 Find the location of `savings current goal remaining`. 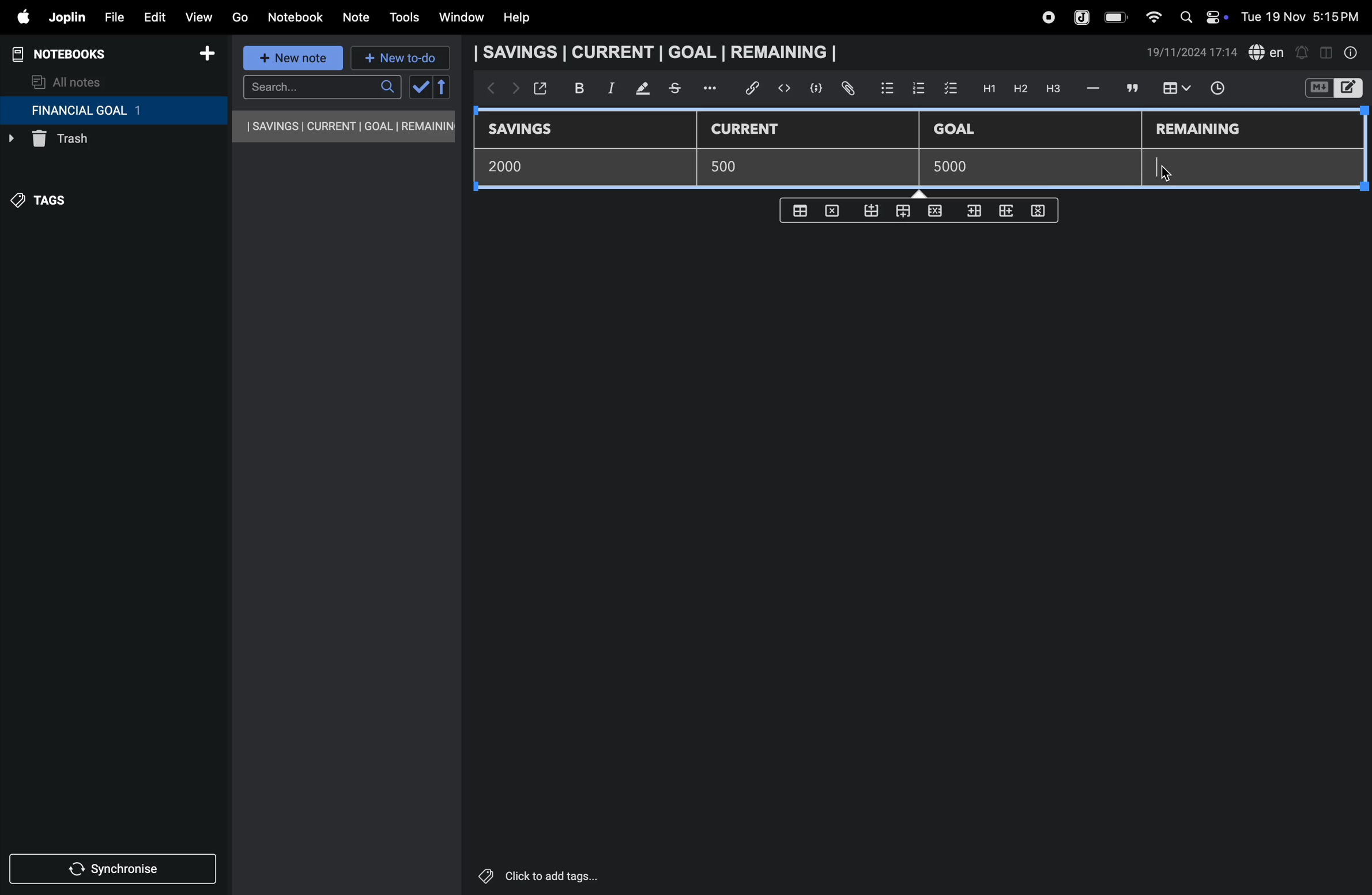

savings current goal remaining is located at coordinates (345, 126).